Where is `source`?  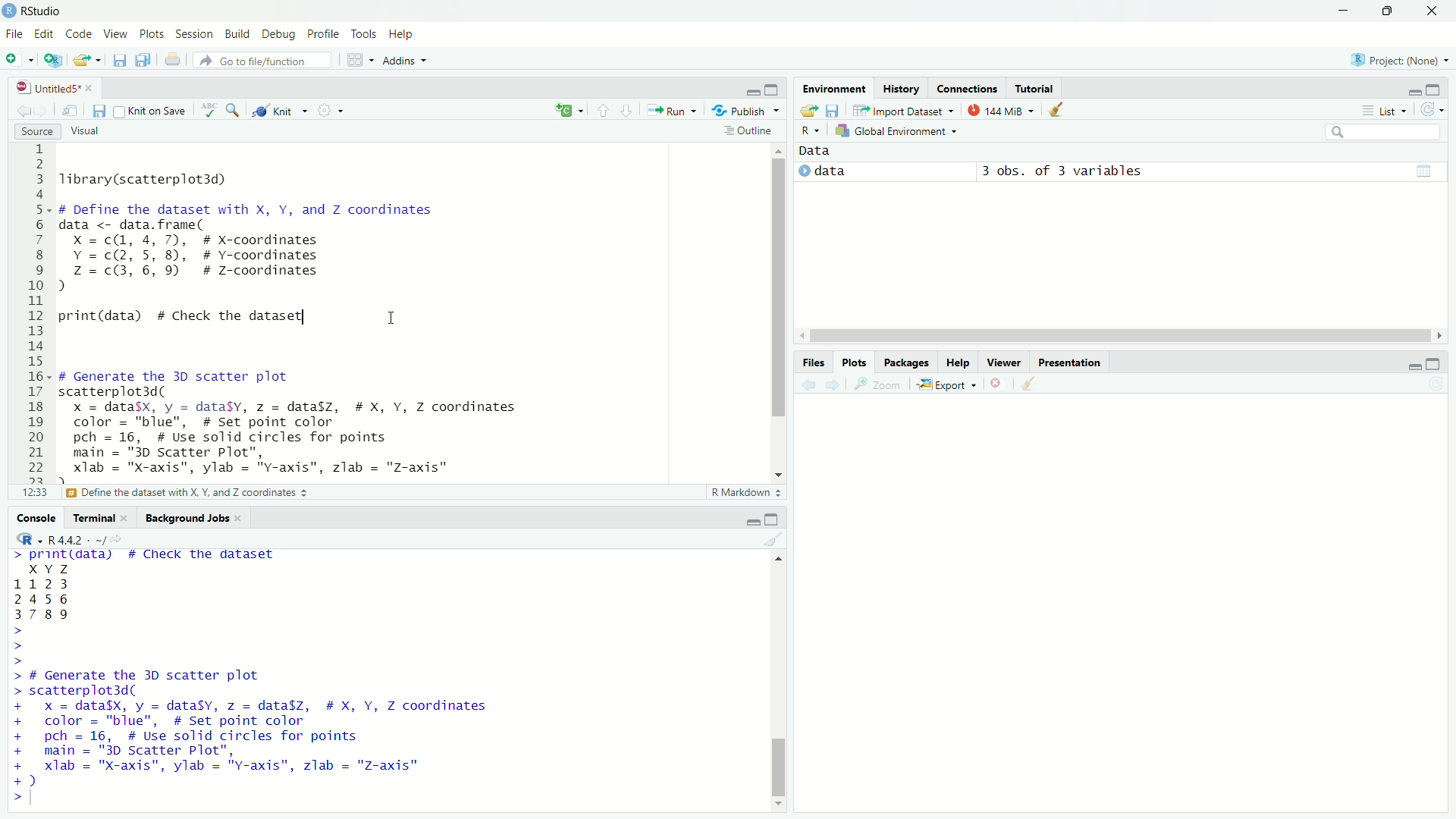 source is located at coordinates (29, 133).